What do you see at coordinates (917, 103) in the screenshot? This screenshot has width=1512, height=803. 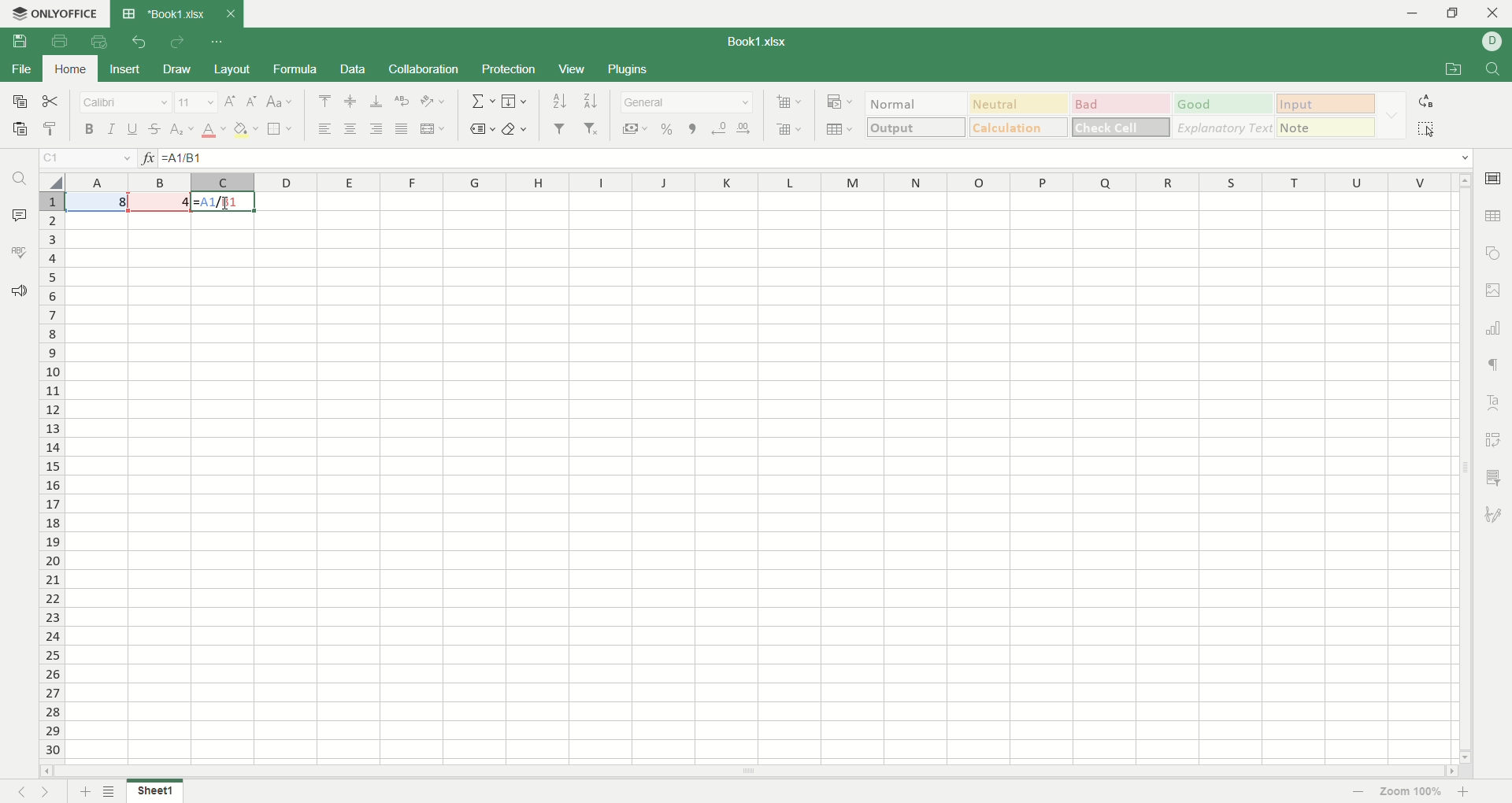 I see `normal` at bounding box center [917, 103].